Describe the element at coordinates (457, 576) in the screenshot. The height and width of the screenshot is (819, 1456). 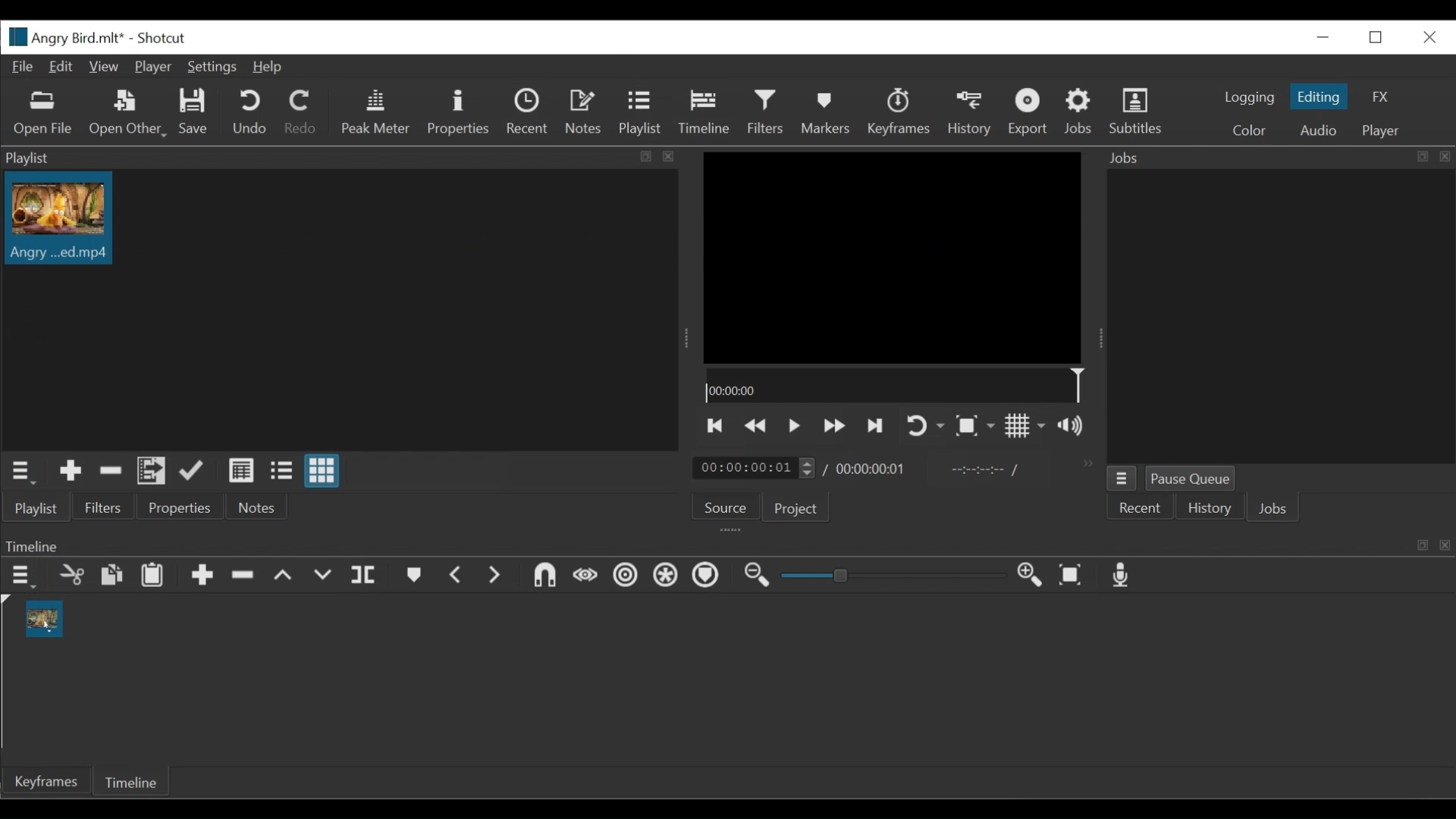
I see `Previous marker` at that location.